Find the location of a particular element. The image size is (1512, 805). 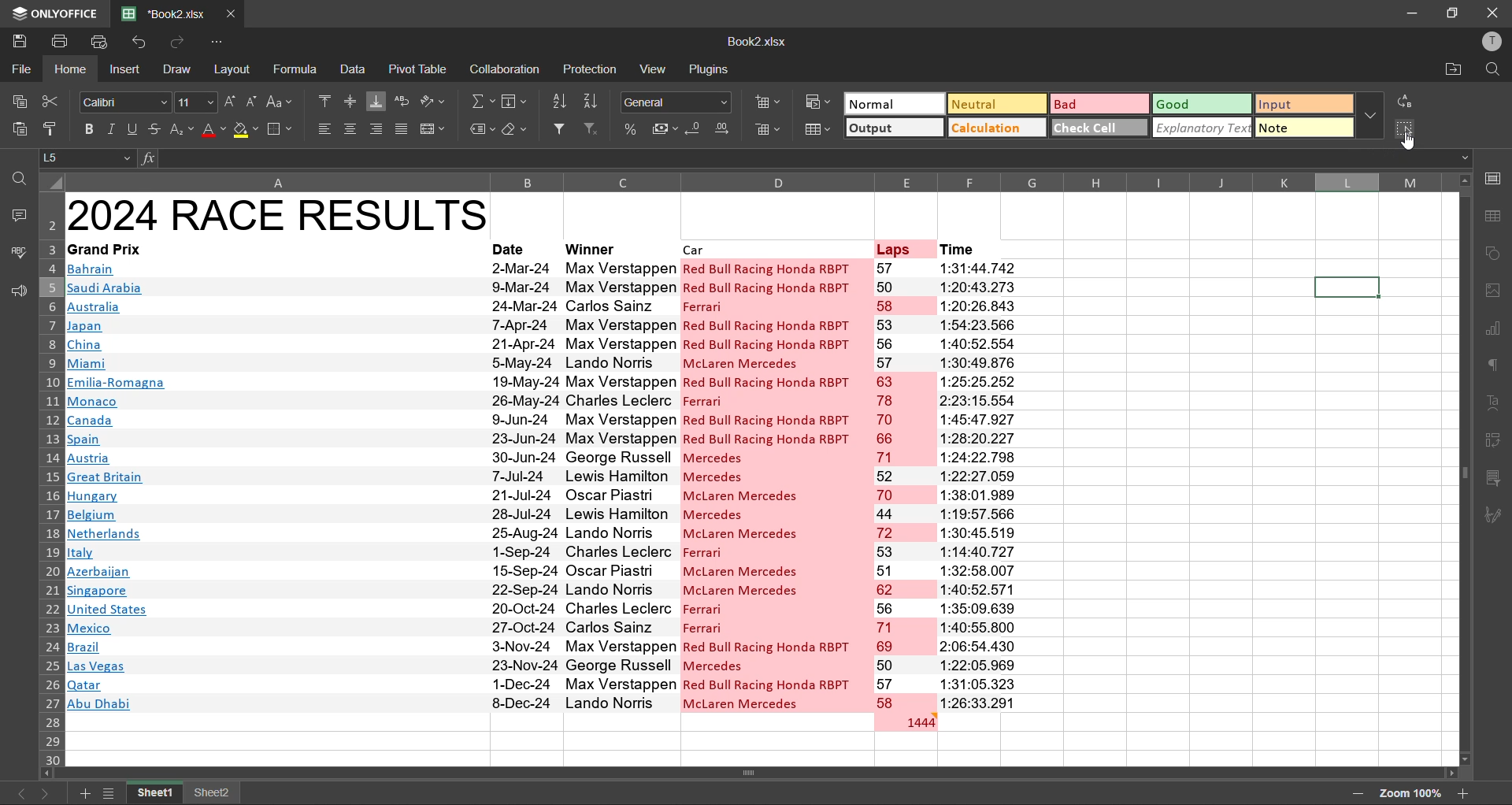

home is located at coordinates (72, 70).